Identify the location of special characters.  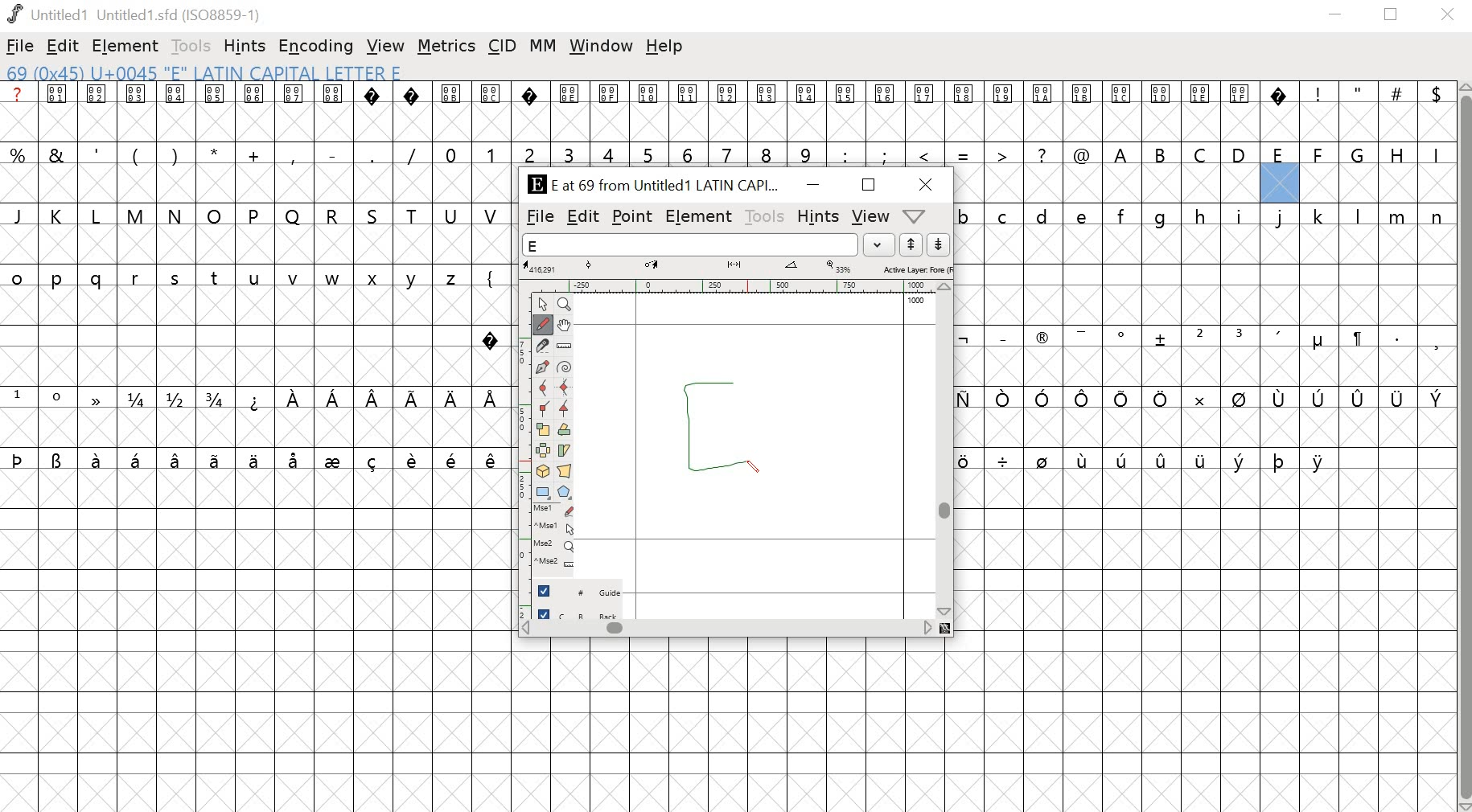
(1207, 399).